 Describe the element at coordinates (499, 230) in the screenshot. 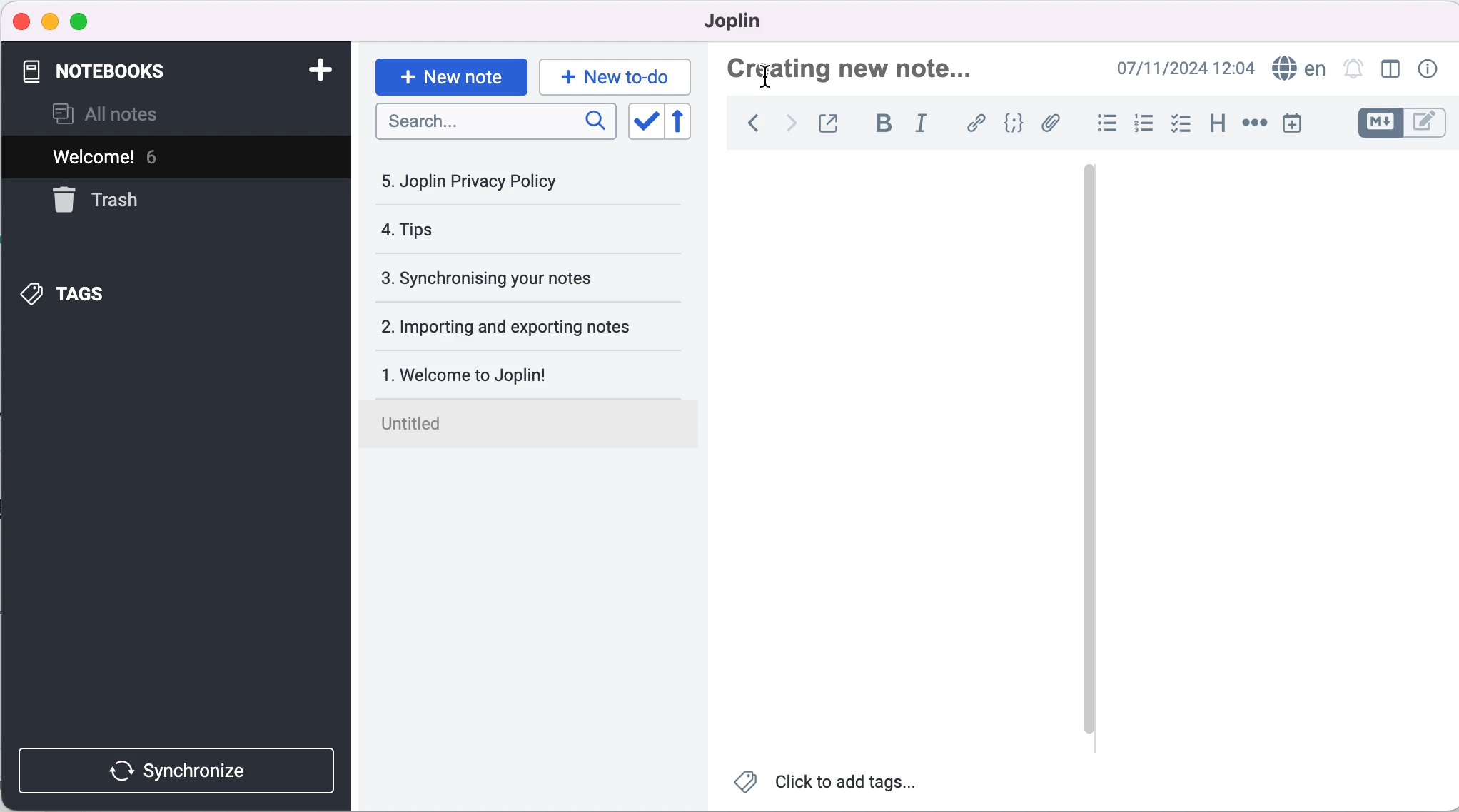

I see `tips` at that location.